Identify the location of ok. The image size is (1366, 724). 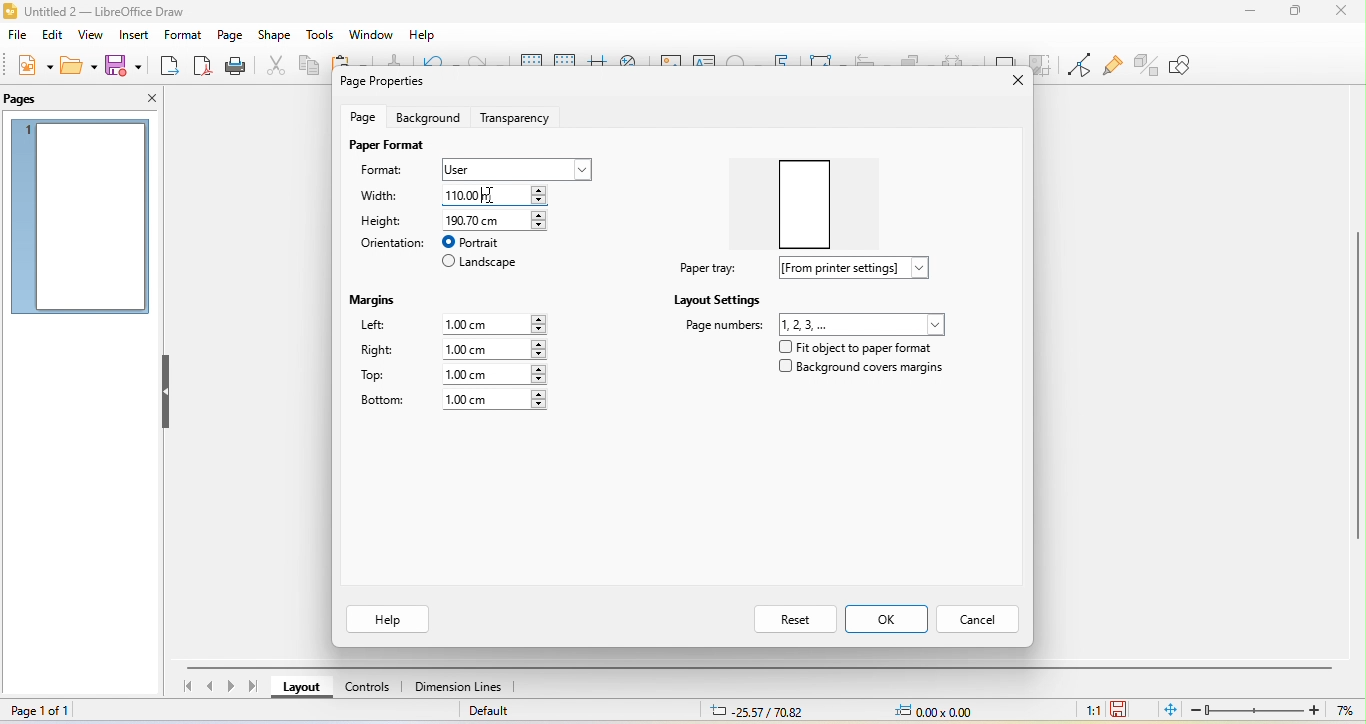
(888, 619).